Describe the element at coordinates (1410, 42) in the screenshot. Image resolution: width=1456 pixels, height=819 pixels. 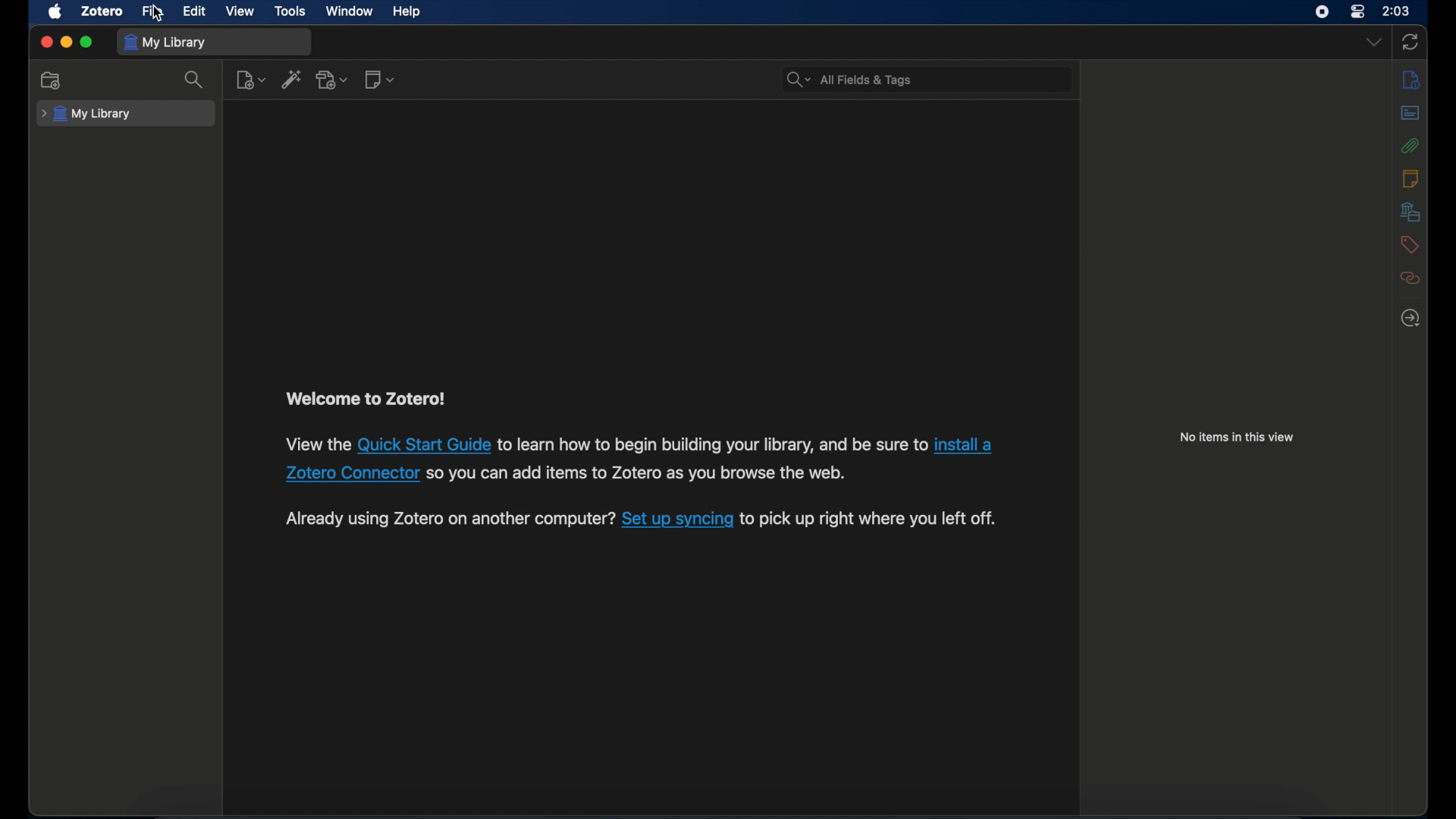
I see `sync` at that location.